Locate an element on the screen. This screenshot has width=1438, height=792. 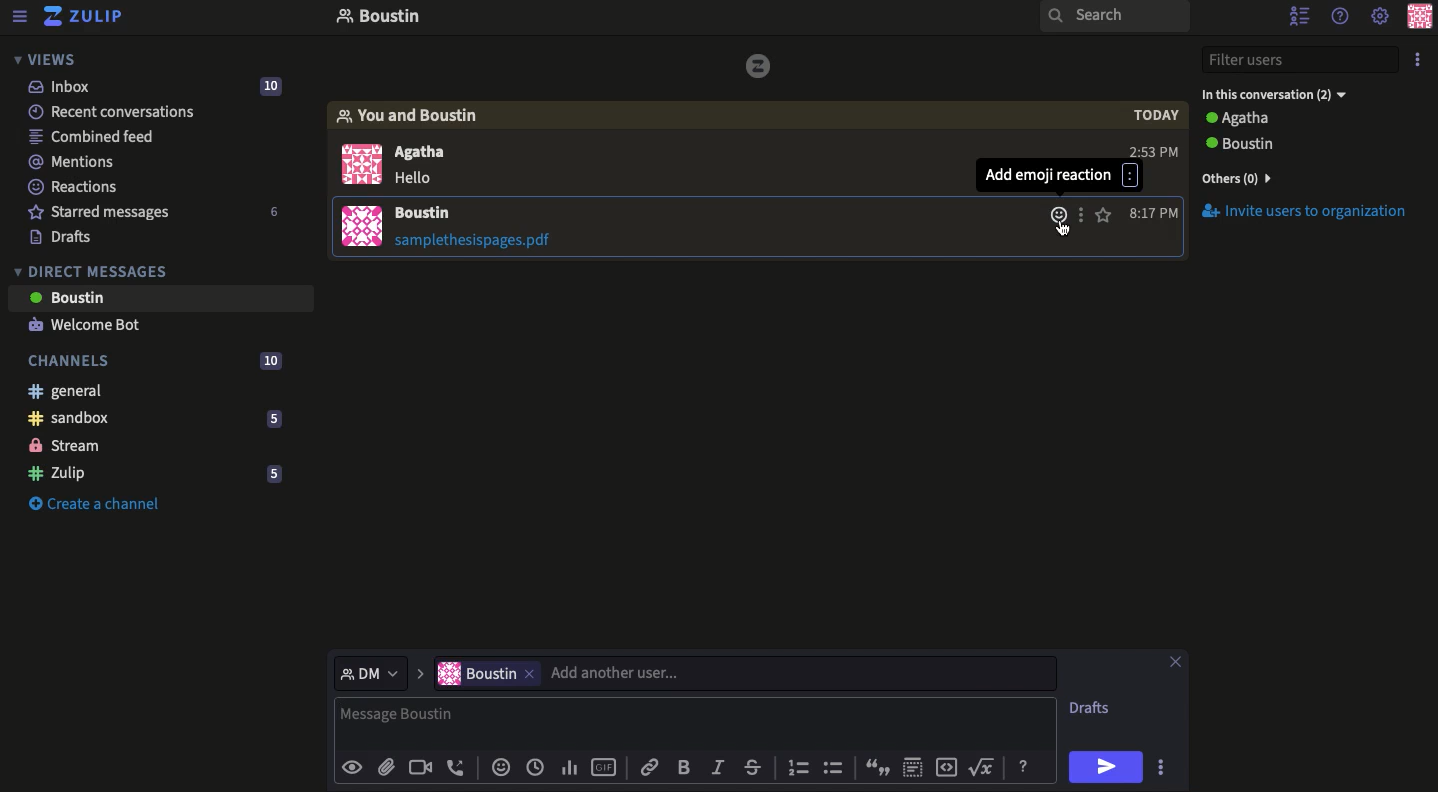
select message type is located at coordinates (372, 672).